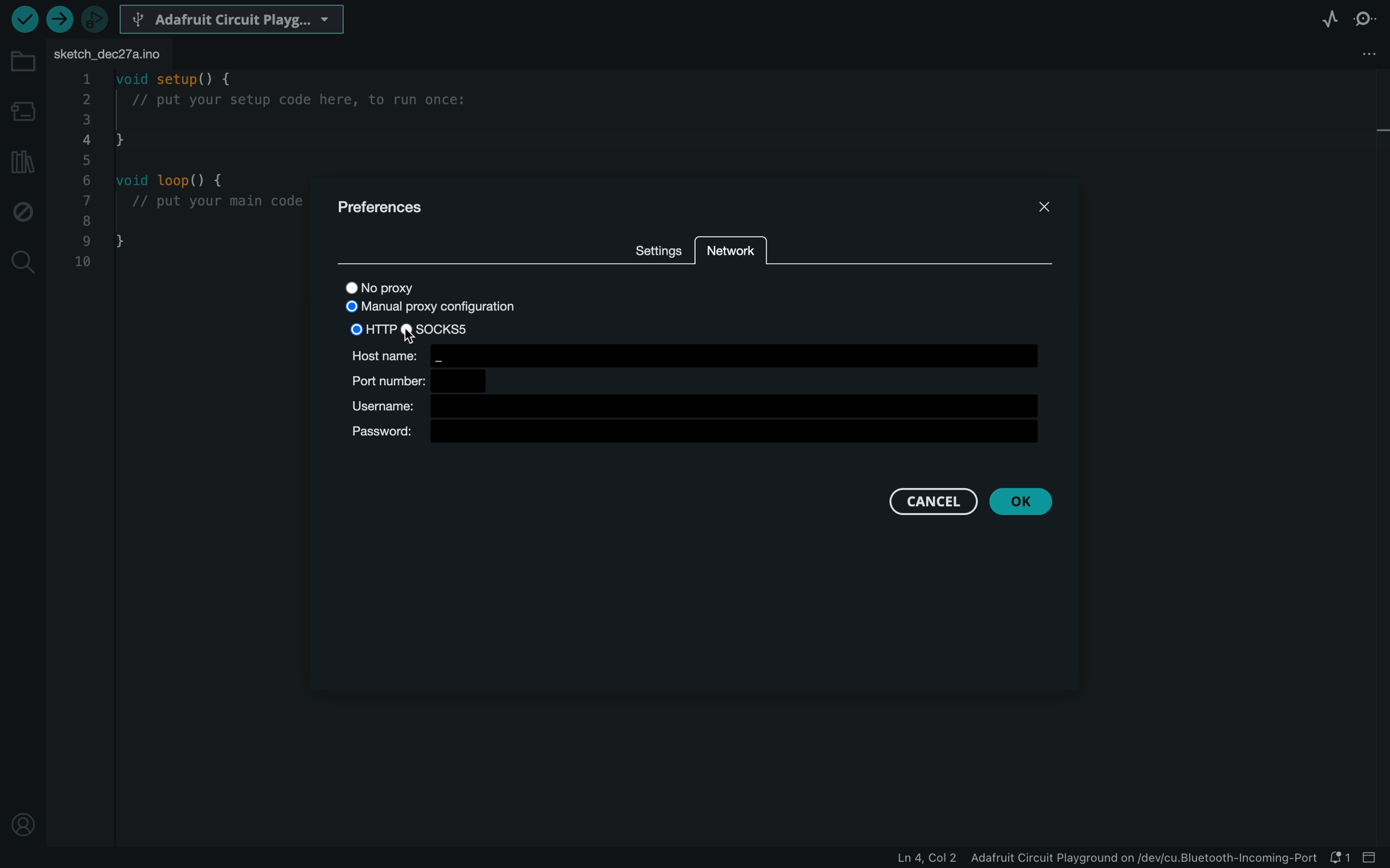 The image size is (1390, 868). What do you see at coordinates (1338, 857) in the screenshot?
I see `notification` at bounding box center [1338, 857].